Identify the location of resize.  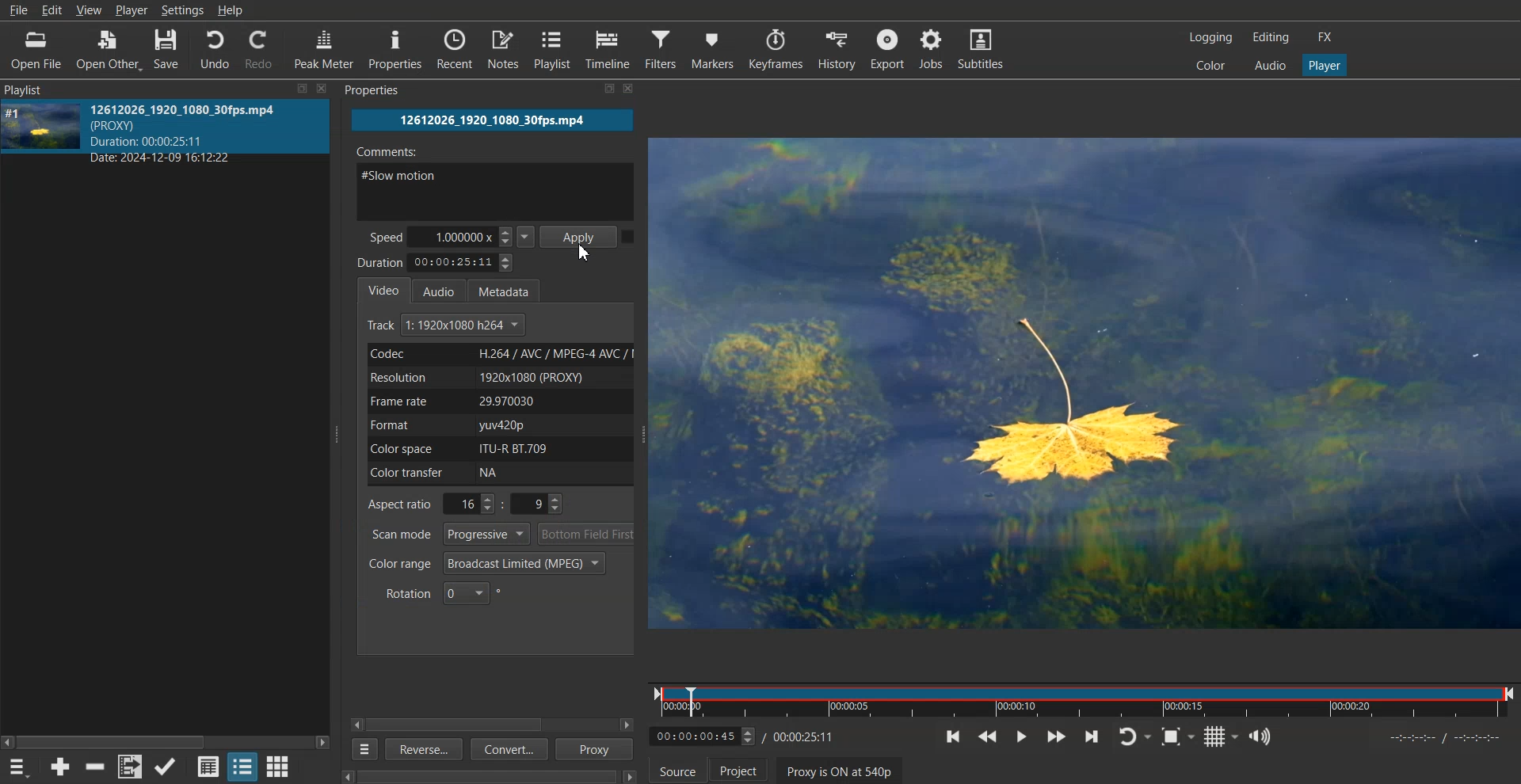
(299, 89).